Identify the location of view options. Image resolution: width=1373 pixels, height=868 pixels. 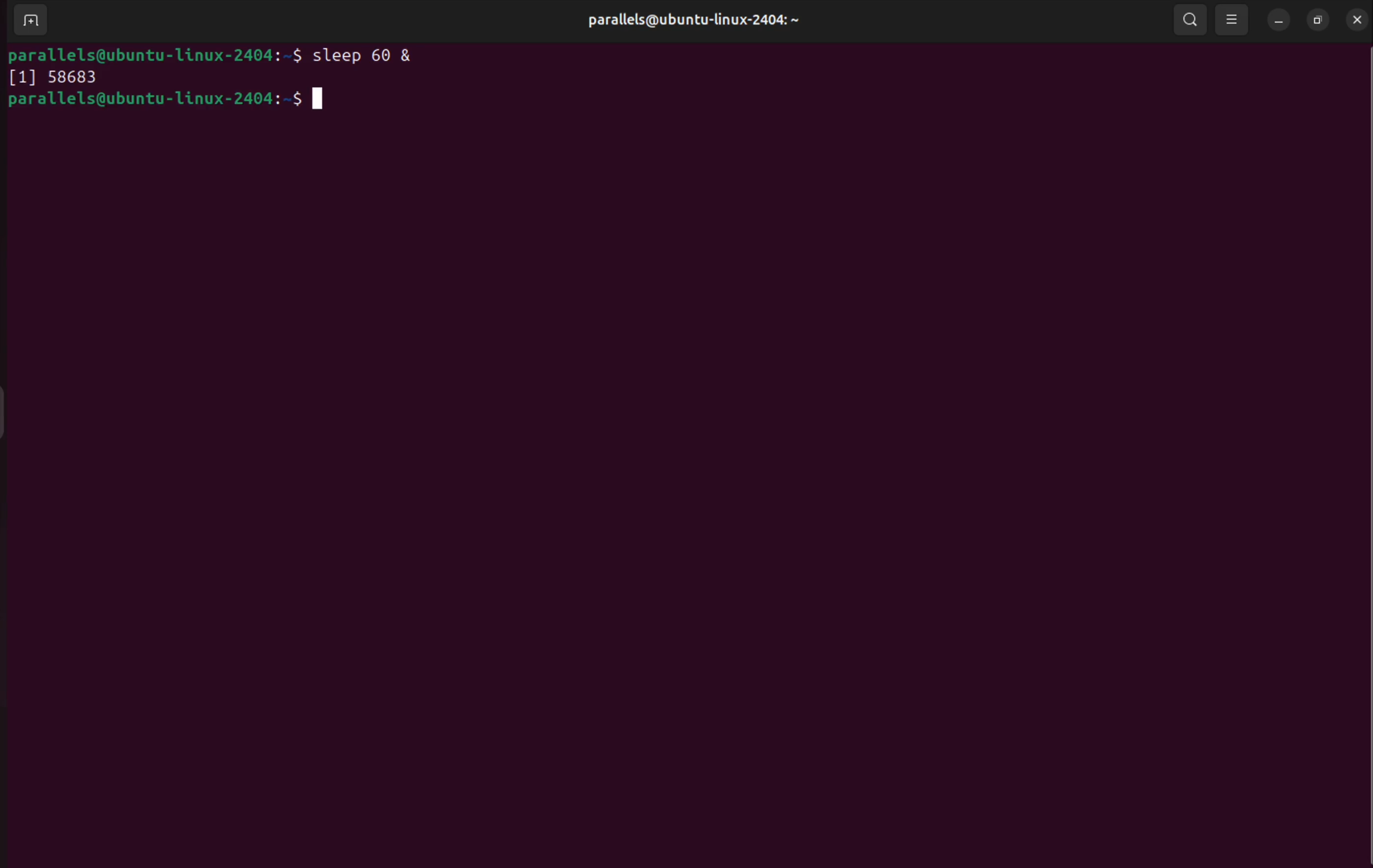
(1233, 20).